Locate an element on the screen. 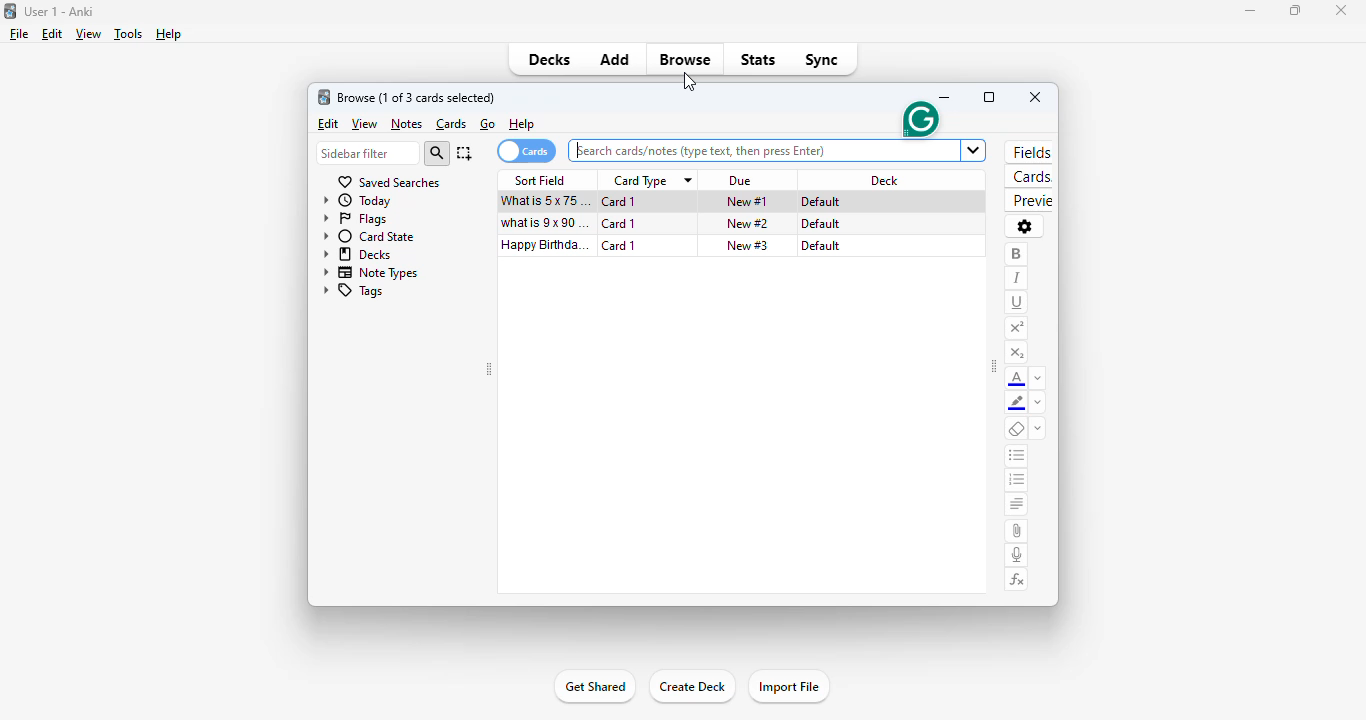 This screenshot has height=720, width=1366. record audio is located at coordinates (1016, 554).